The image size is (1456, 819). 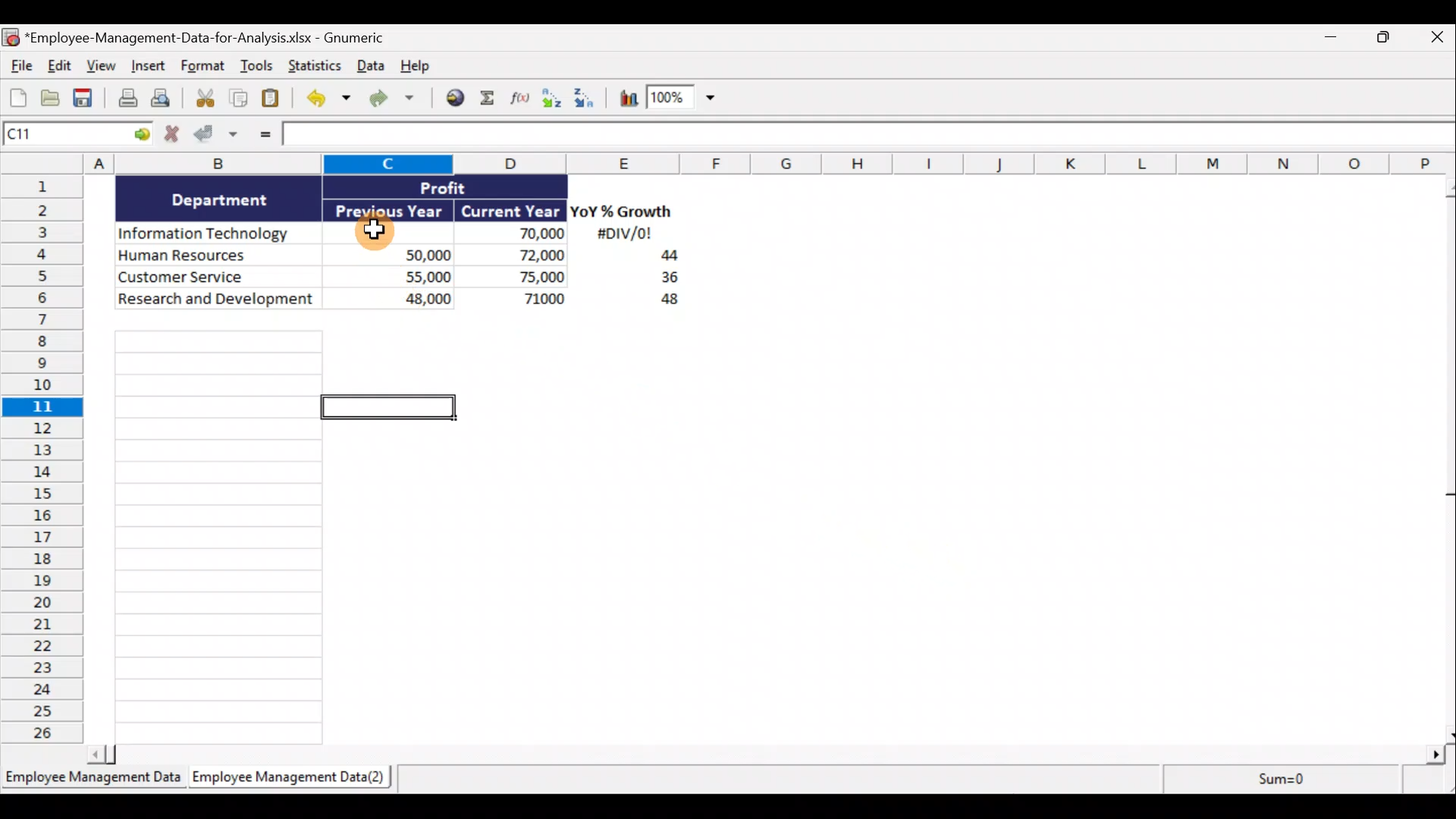 What do you see at coordinates (125, 99) in the screenshot?
I see `Print current file` at bounding box center [125, 99].